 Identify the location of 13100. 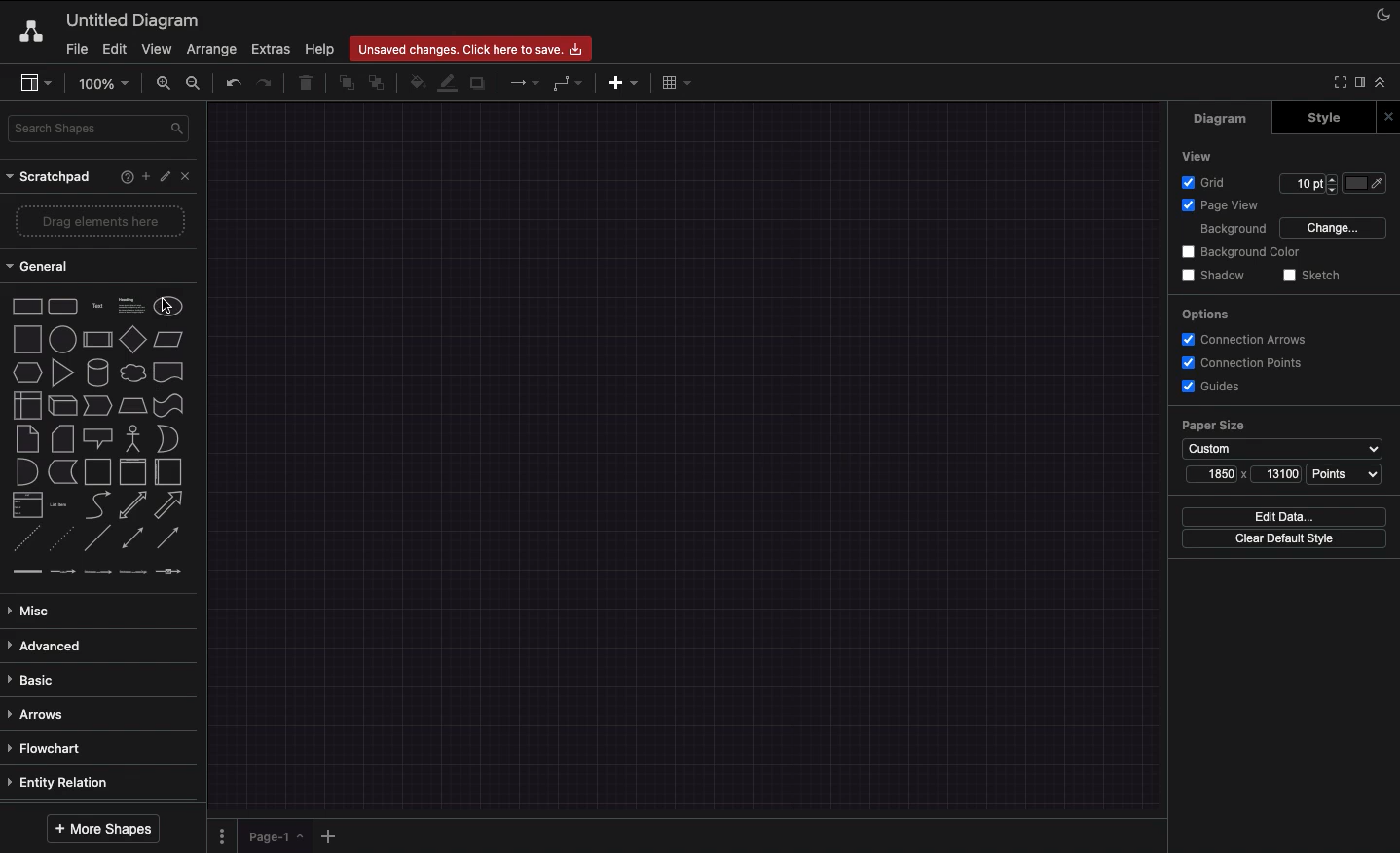
(1280, 474).